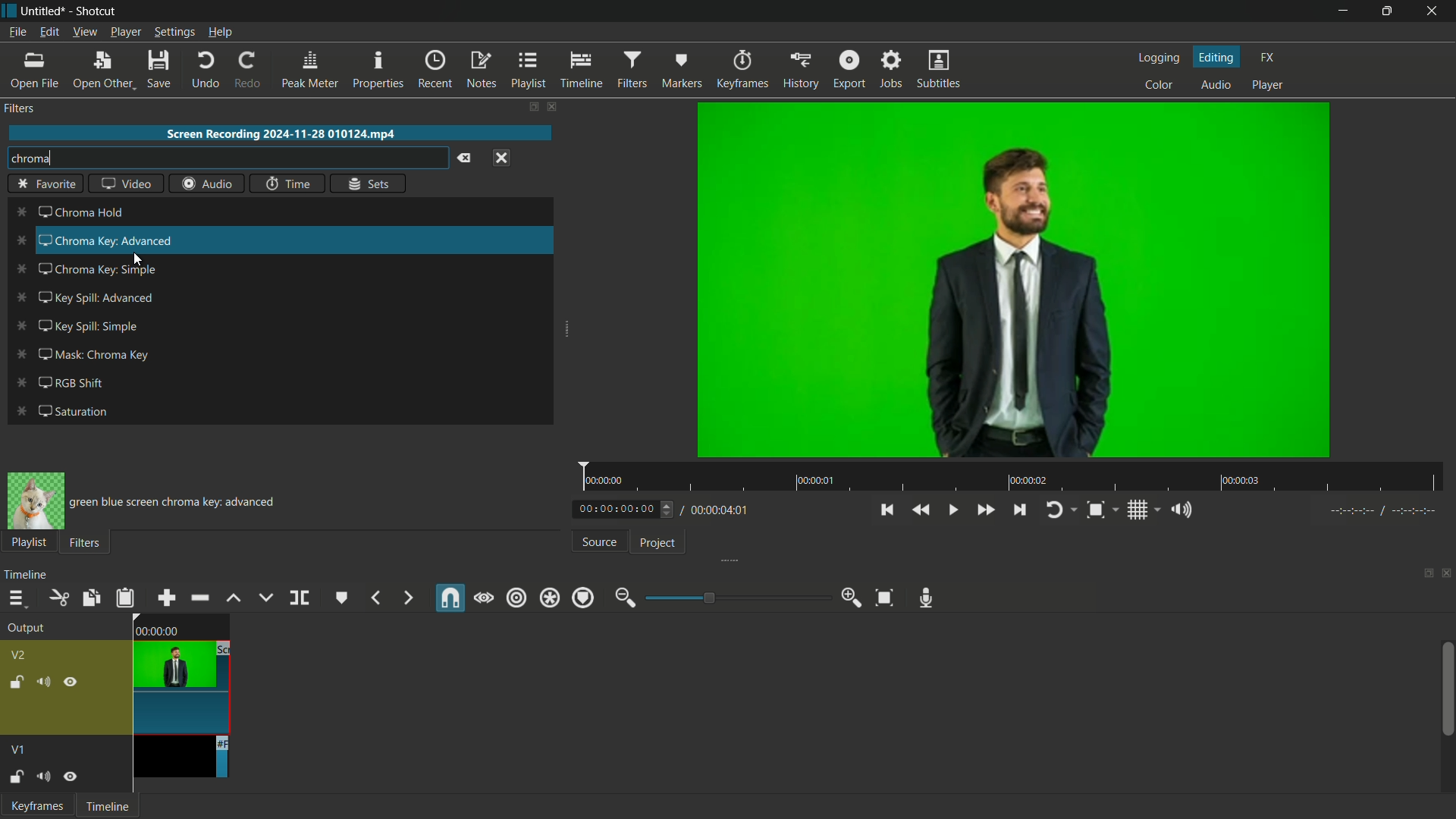 Image resolution: width=1456 pixels, height=819 pixels. What do you see at coordinates (484, 598) in the screenshot?
I see `scrub while dragging` at bounding box center [484, 598].